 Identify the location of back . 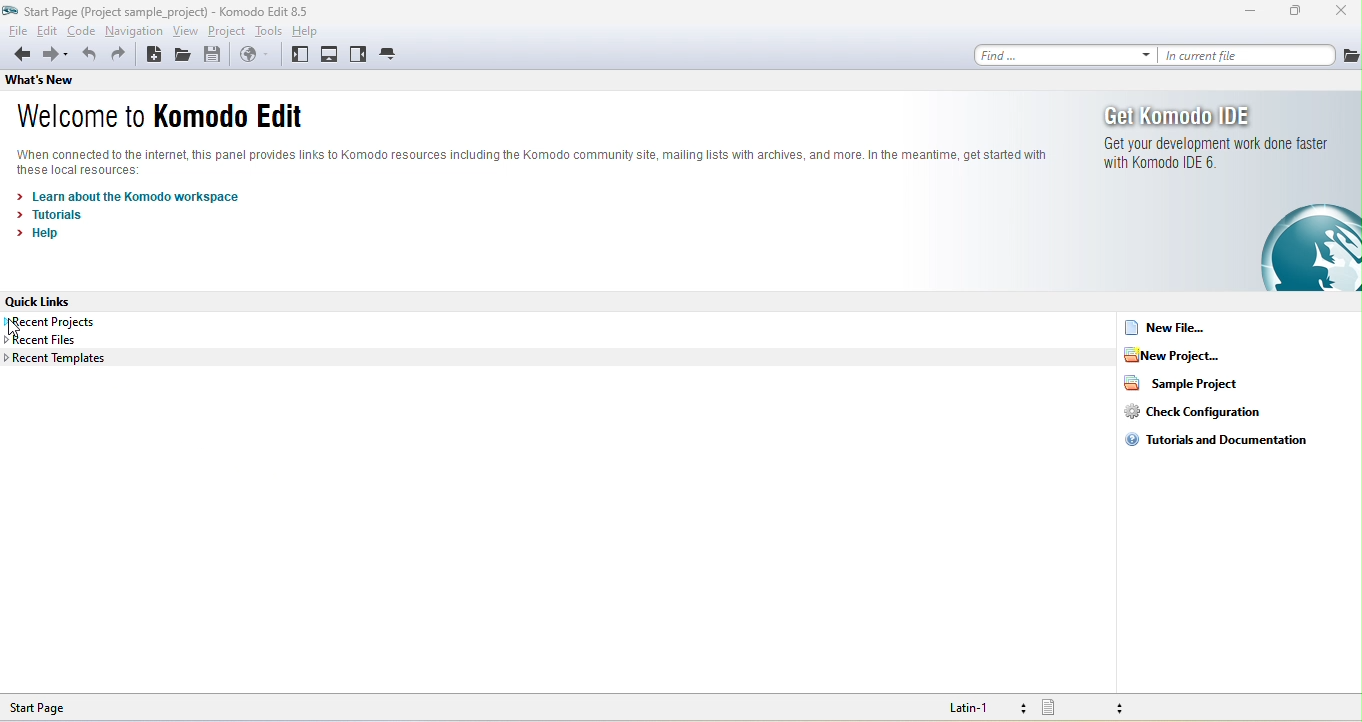
(20, 53).